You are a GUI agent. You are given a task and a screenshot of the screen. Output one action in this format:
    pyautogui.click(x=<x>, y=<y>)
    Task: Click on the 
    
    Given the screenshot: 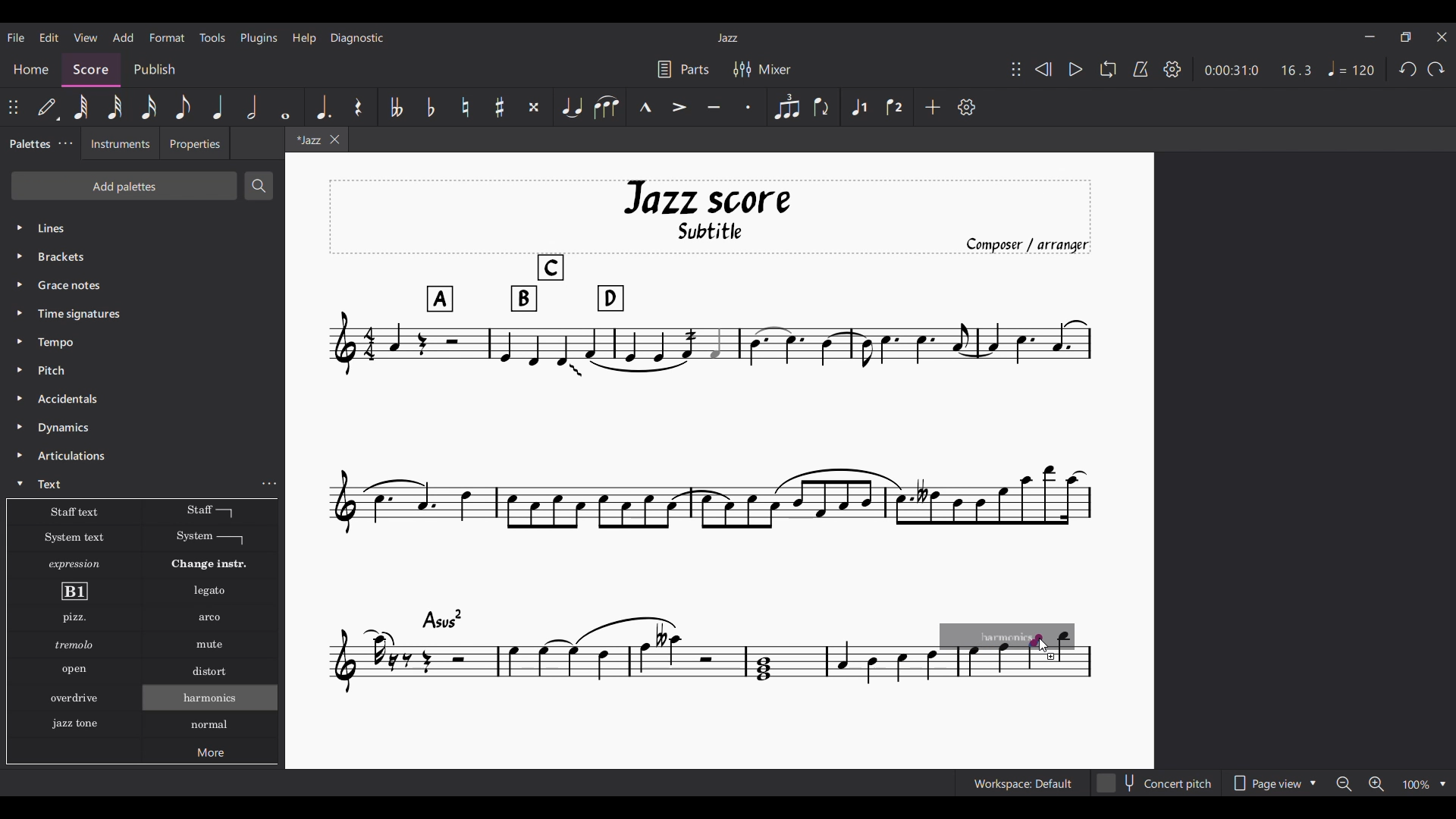 What is the action you would take?
    pyautogui.click(x=73, y=645)
    